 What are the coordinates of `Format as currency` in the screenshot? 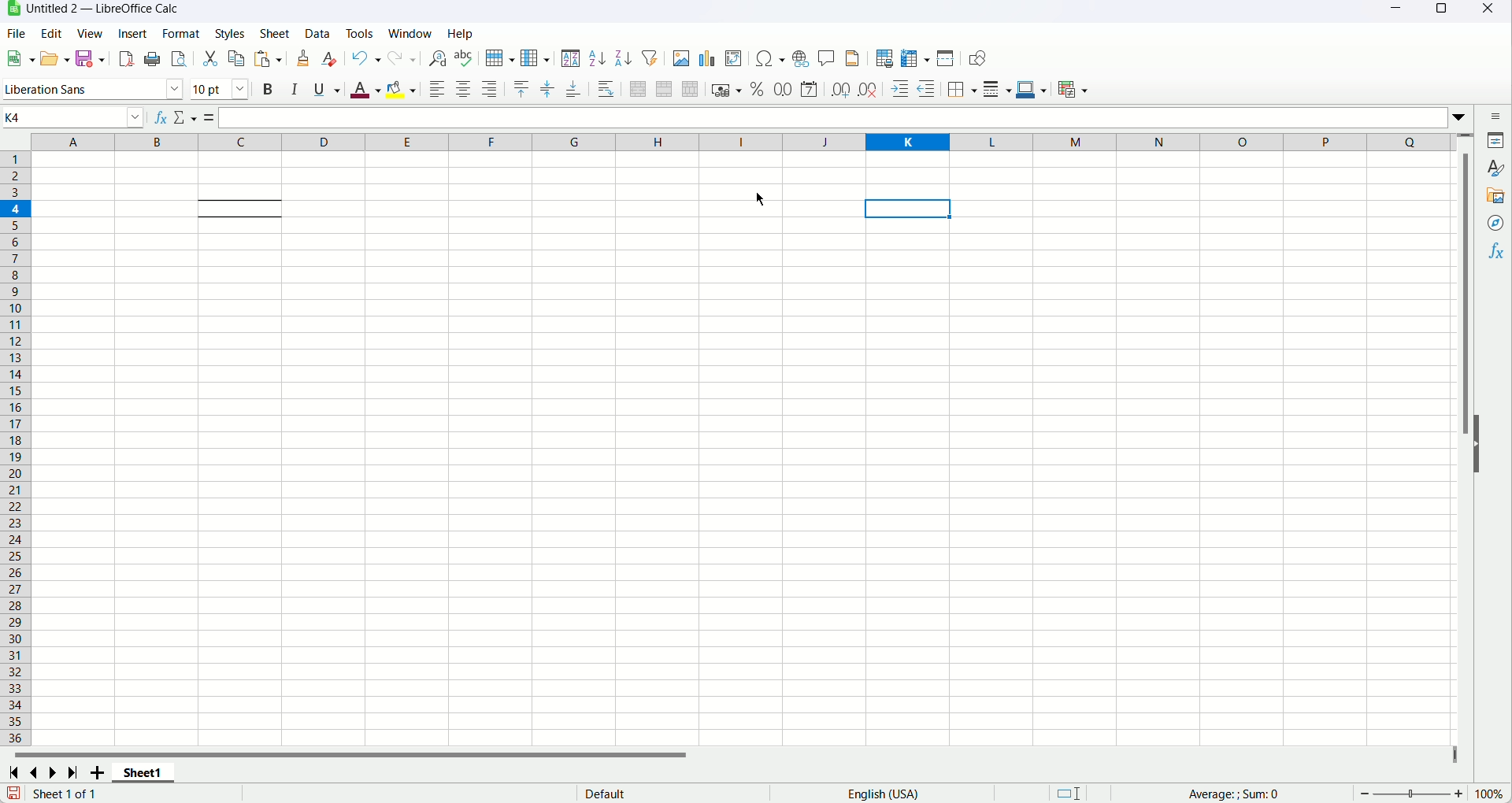 It's located at (727, 89).